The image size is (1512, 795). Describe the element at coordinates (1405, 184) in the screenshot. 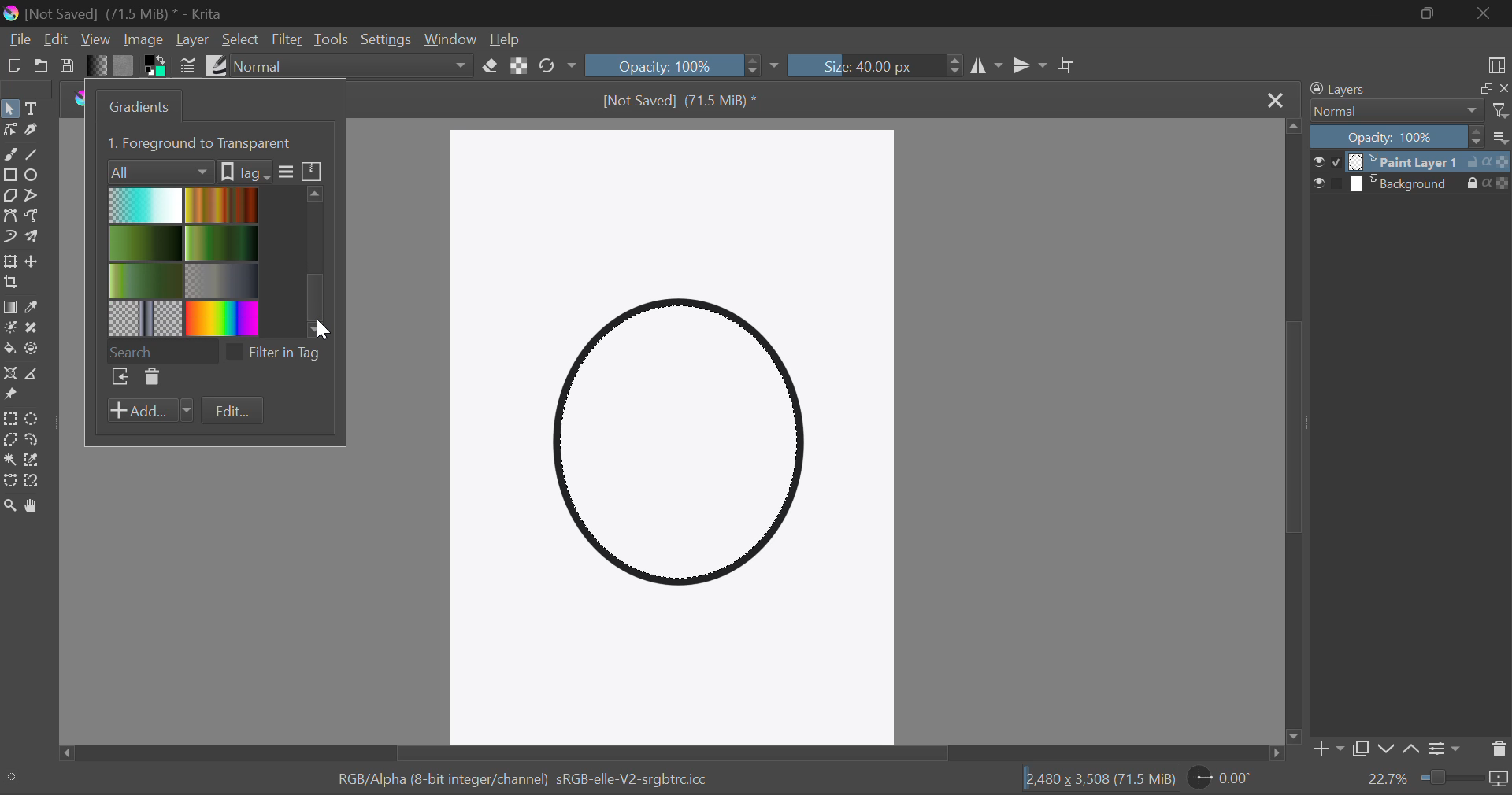

I see `layer 2` at that location.